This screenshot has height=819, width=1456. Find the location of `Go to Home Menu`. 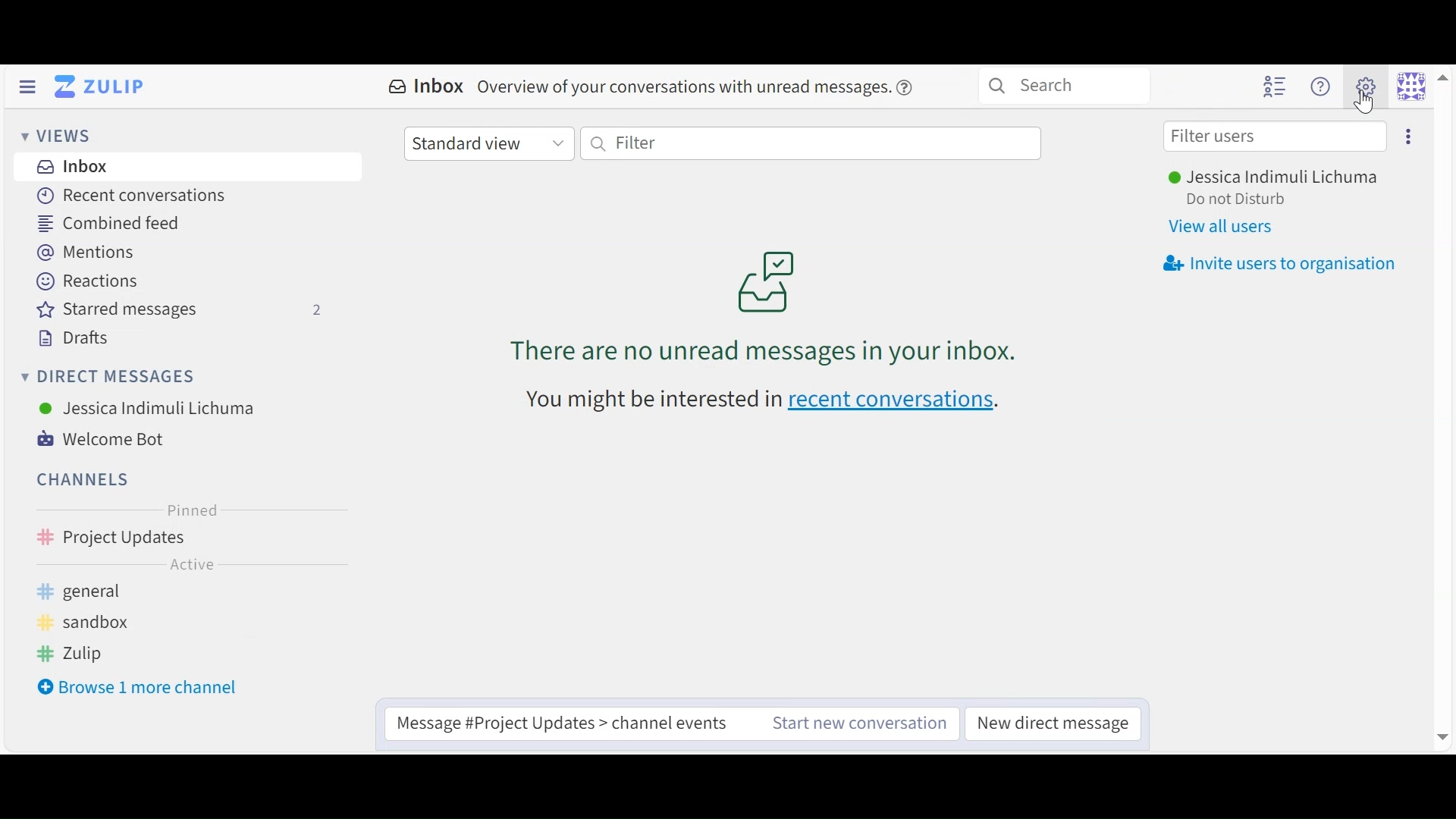

Go to Home Menu is located at coordinates (101, 86).